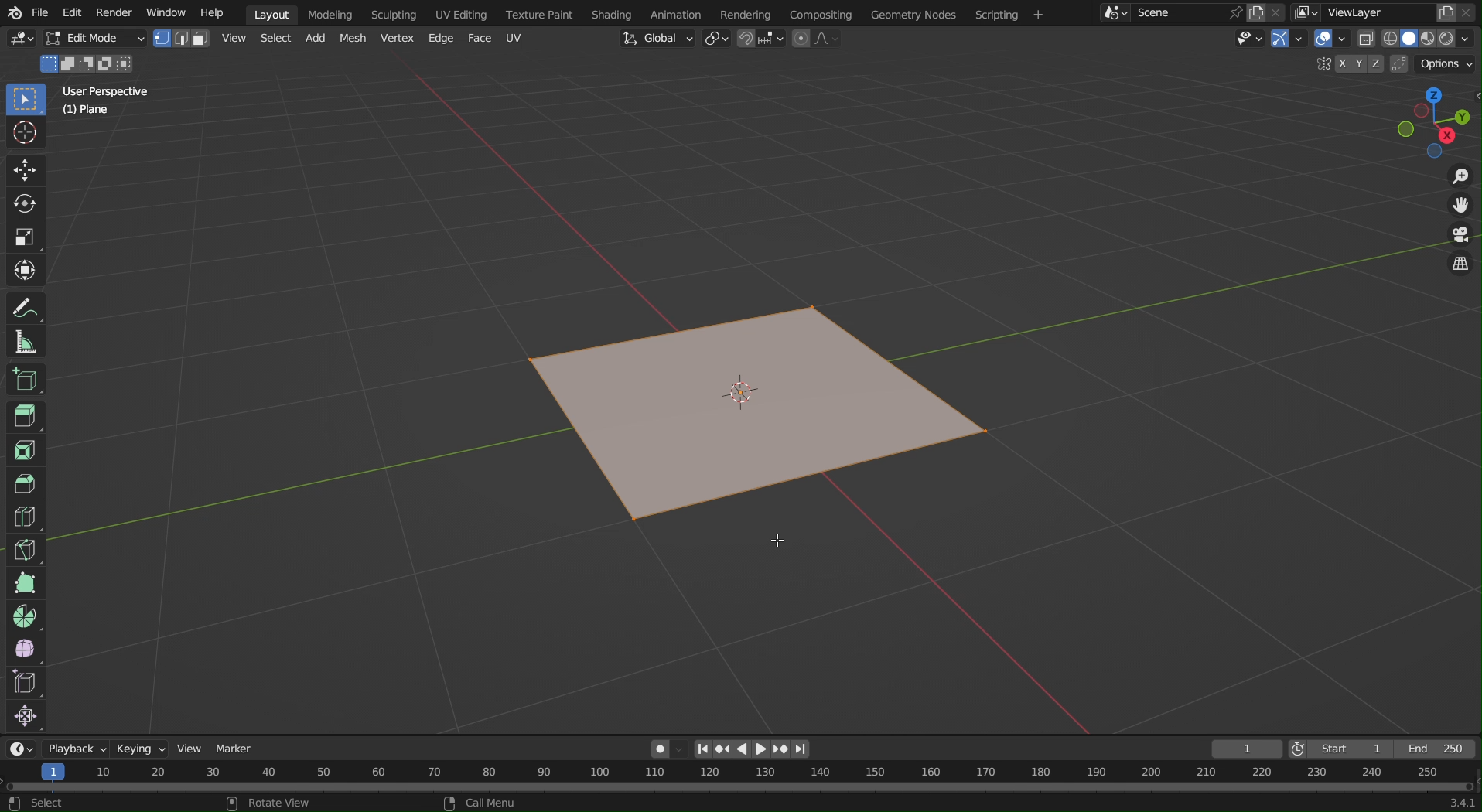 The width and height of the screenshot is (1482, 812). Describe the element at coordinates (94, 39) in the screenshot. I see `Edit Mode` at that location.